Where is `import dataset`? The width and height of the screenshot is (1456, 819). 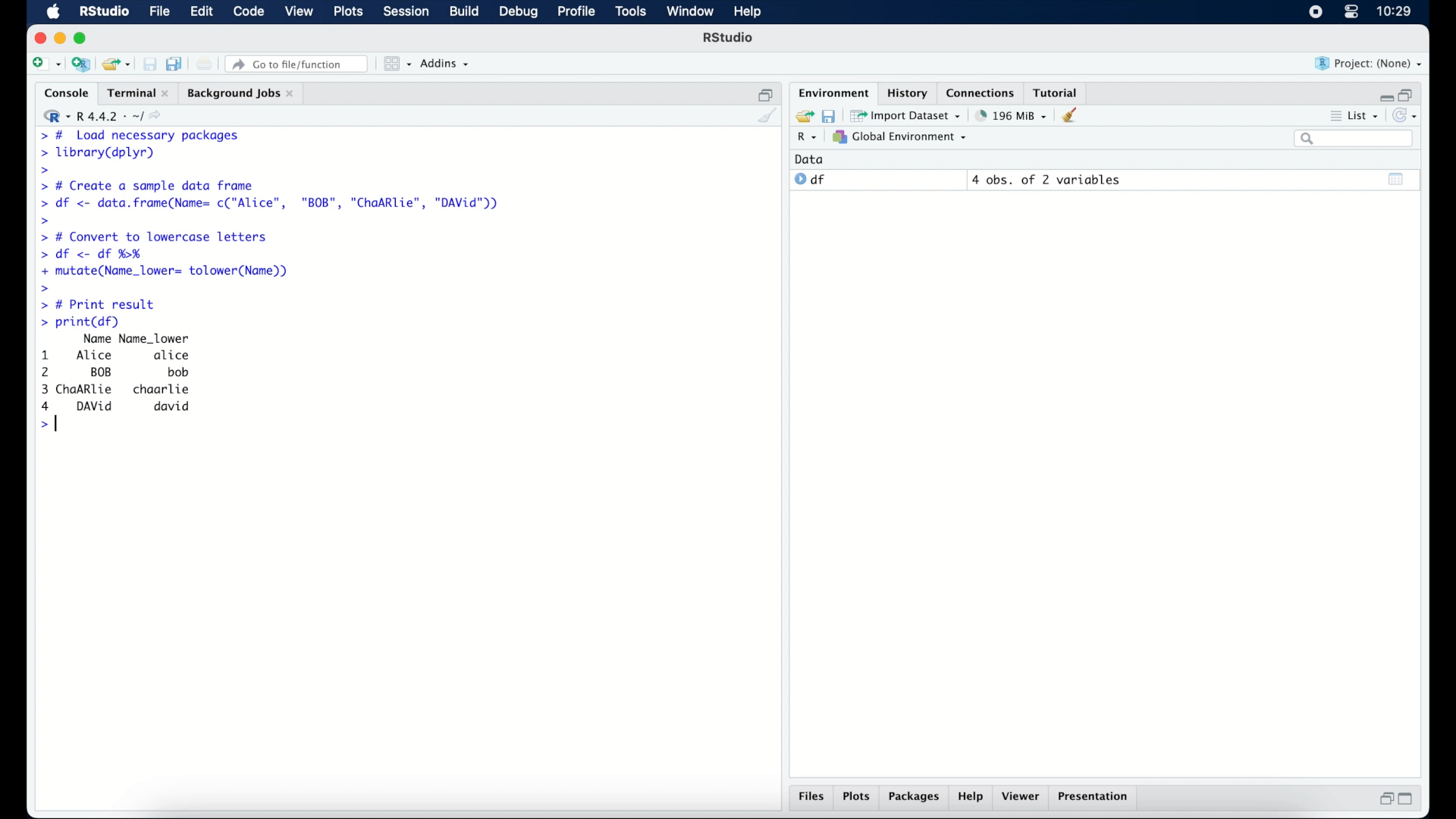 import dataset is located at coordinates (907, 115).